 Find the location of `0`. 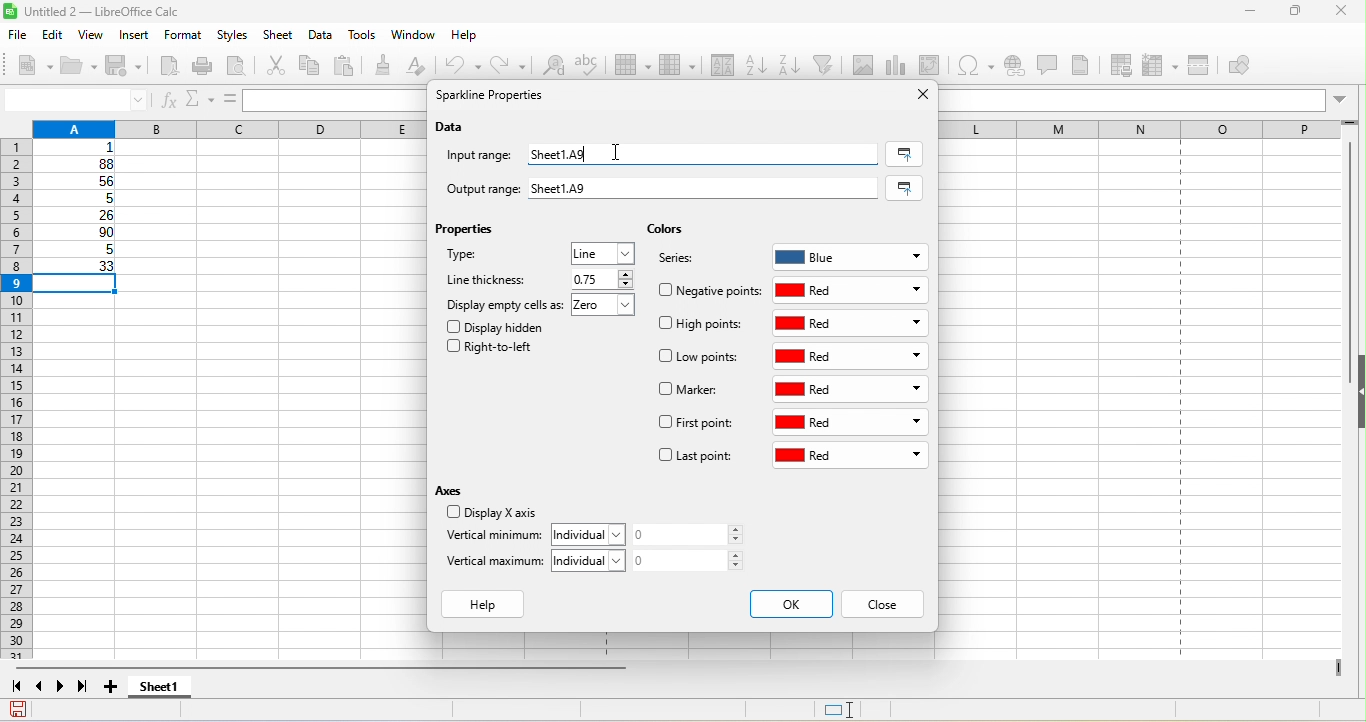

0 is located at coordinates (694, 535).